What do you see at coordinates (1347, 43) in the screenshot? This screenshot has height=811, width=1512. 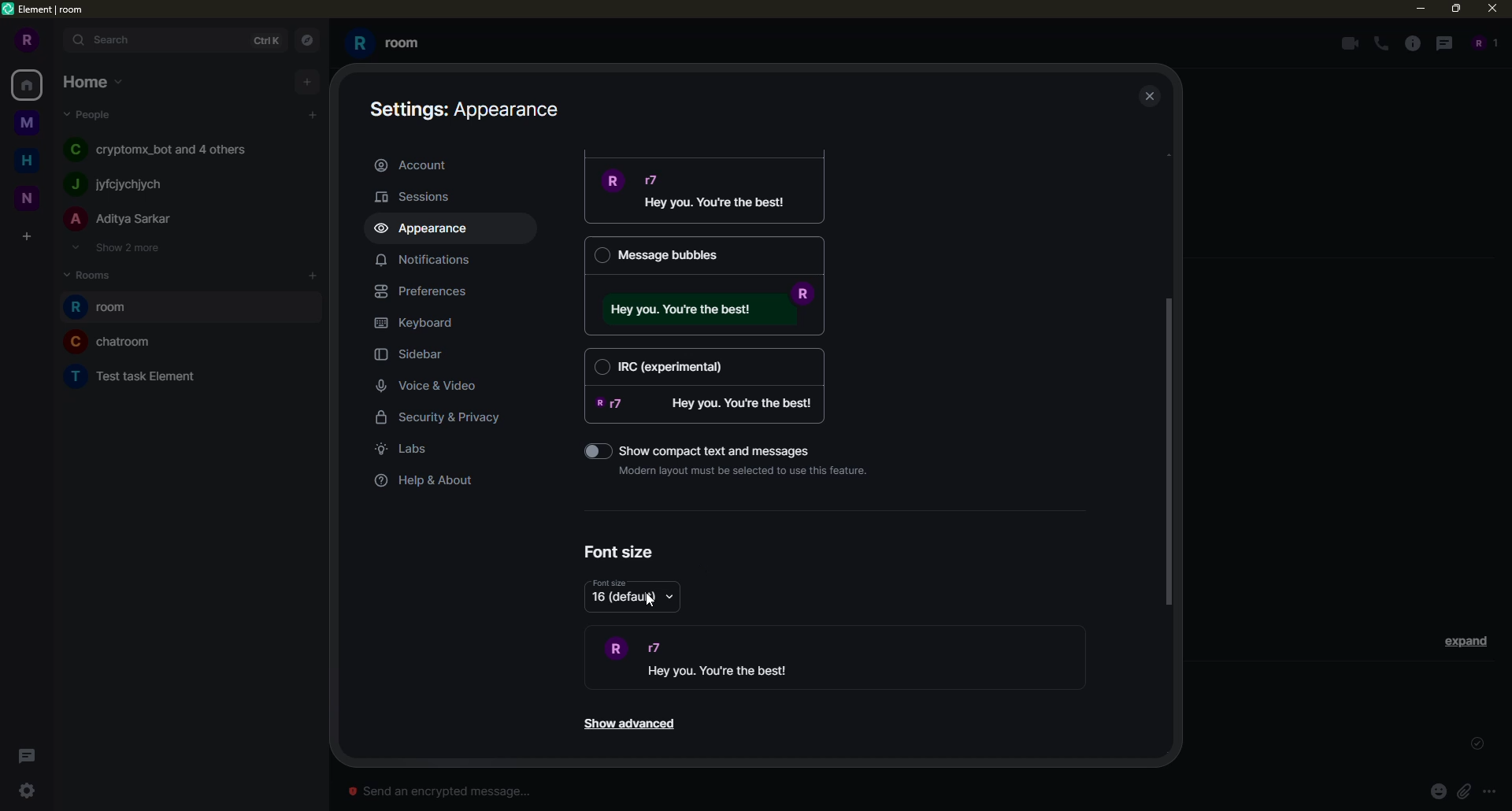 I see `video call` at bounding box center [1347, 43].